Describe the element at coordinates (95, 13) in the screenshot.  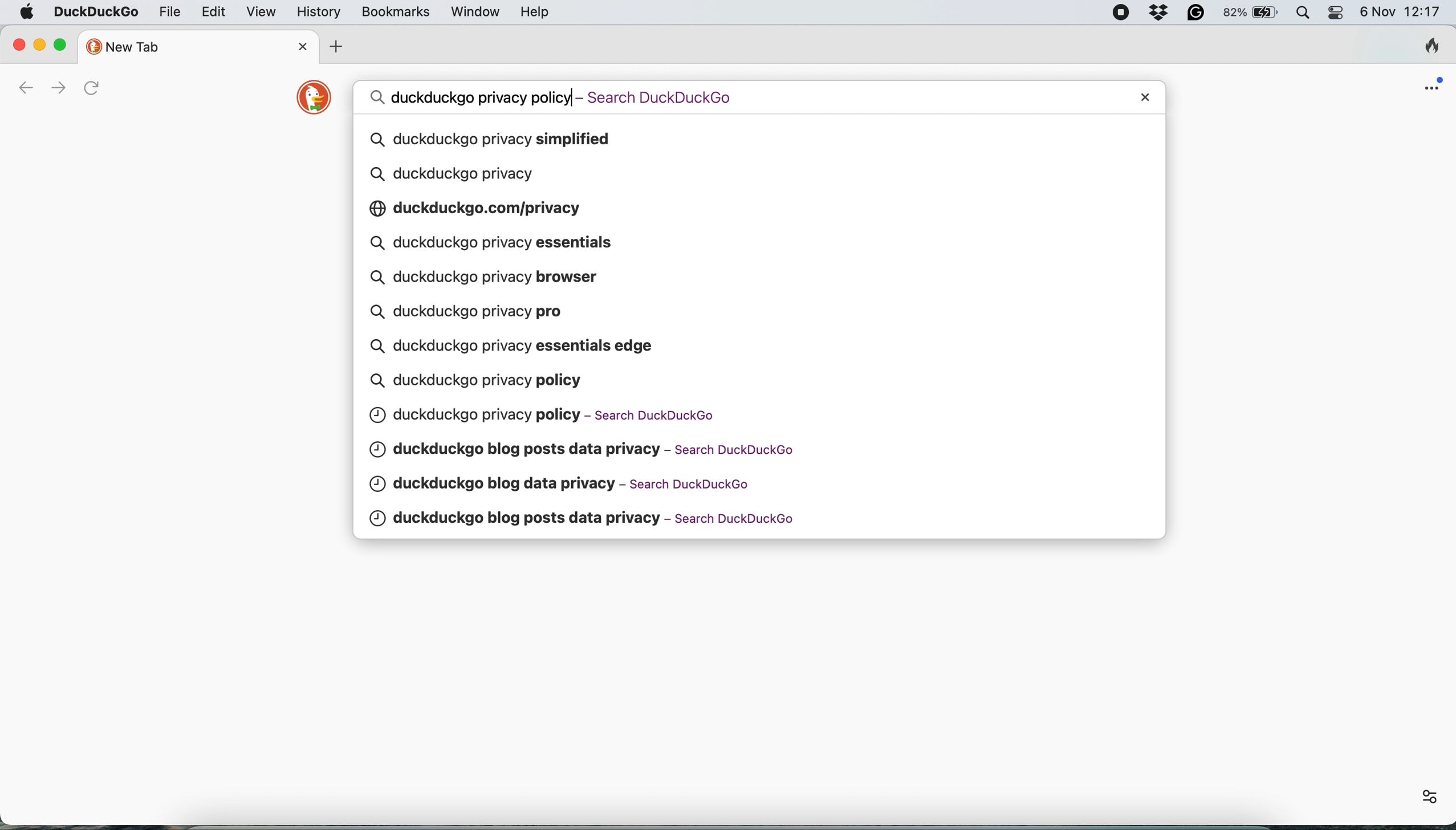
I see `duckduckgo` at that location.